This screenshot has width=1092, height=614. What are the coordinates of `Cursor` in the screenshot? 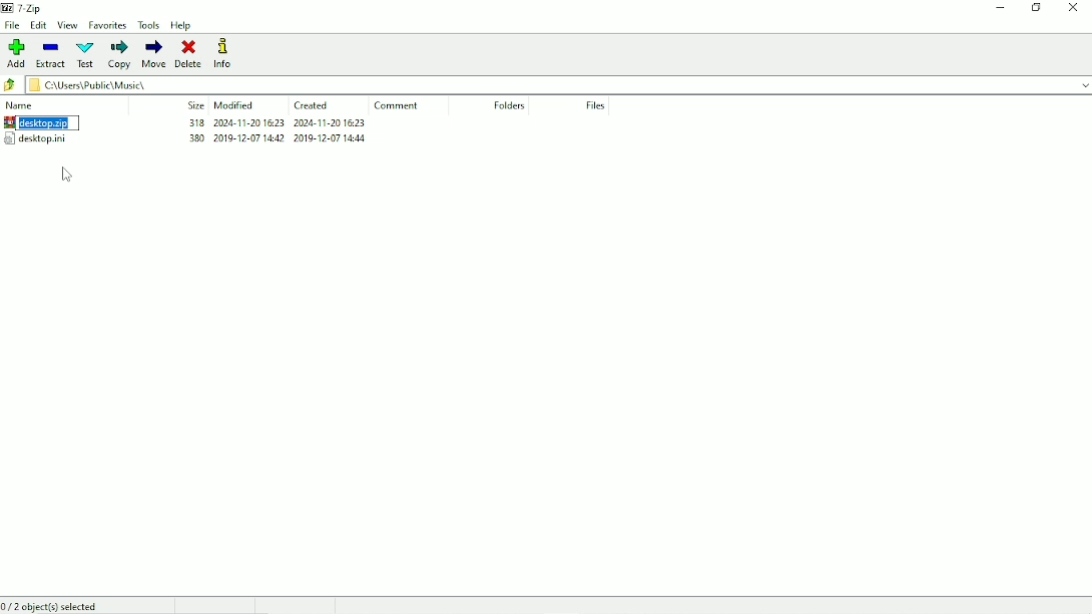 It's located at (66, 175).